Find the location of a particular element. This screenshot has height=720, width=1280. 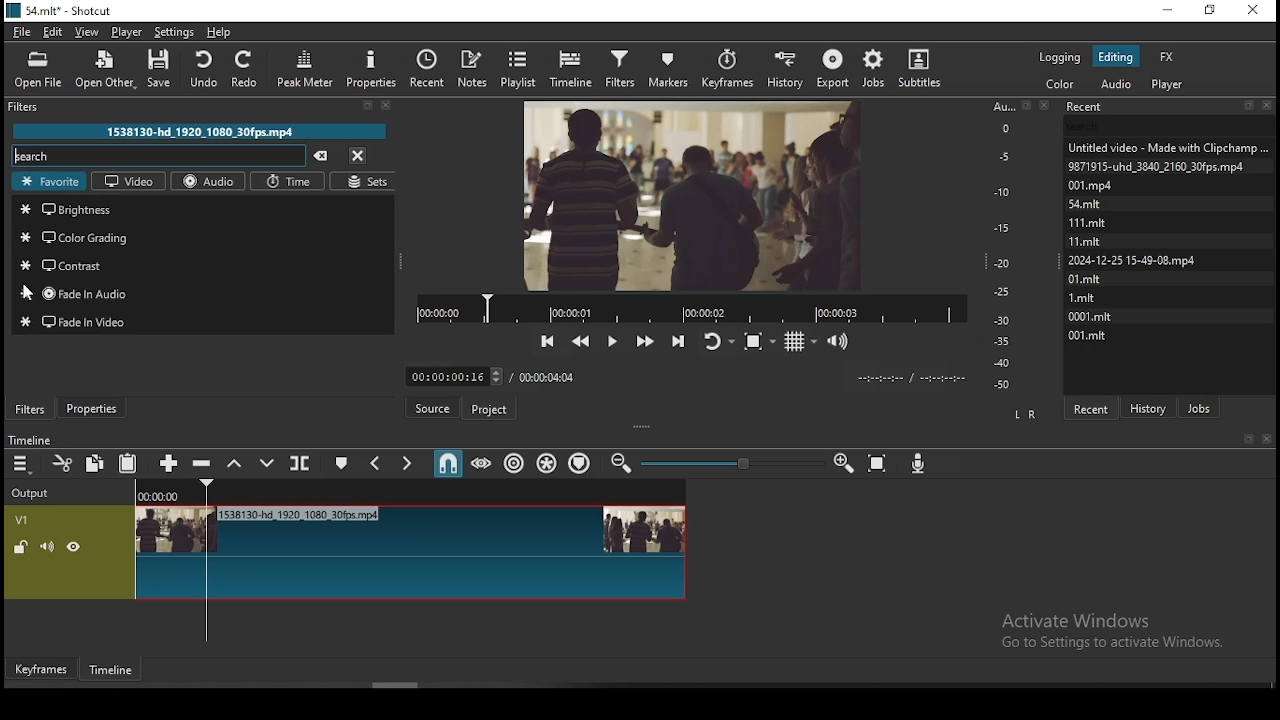

project is located at coordinates (490, 412).